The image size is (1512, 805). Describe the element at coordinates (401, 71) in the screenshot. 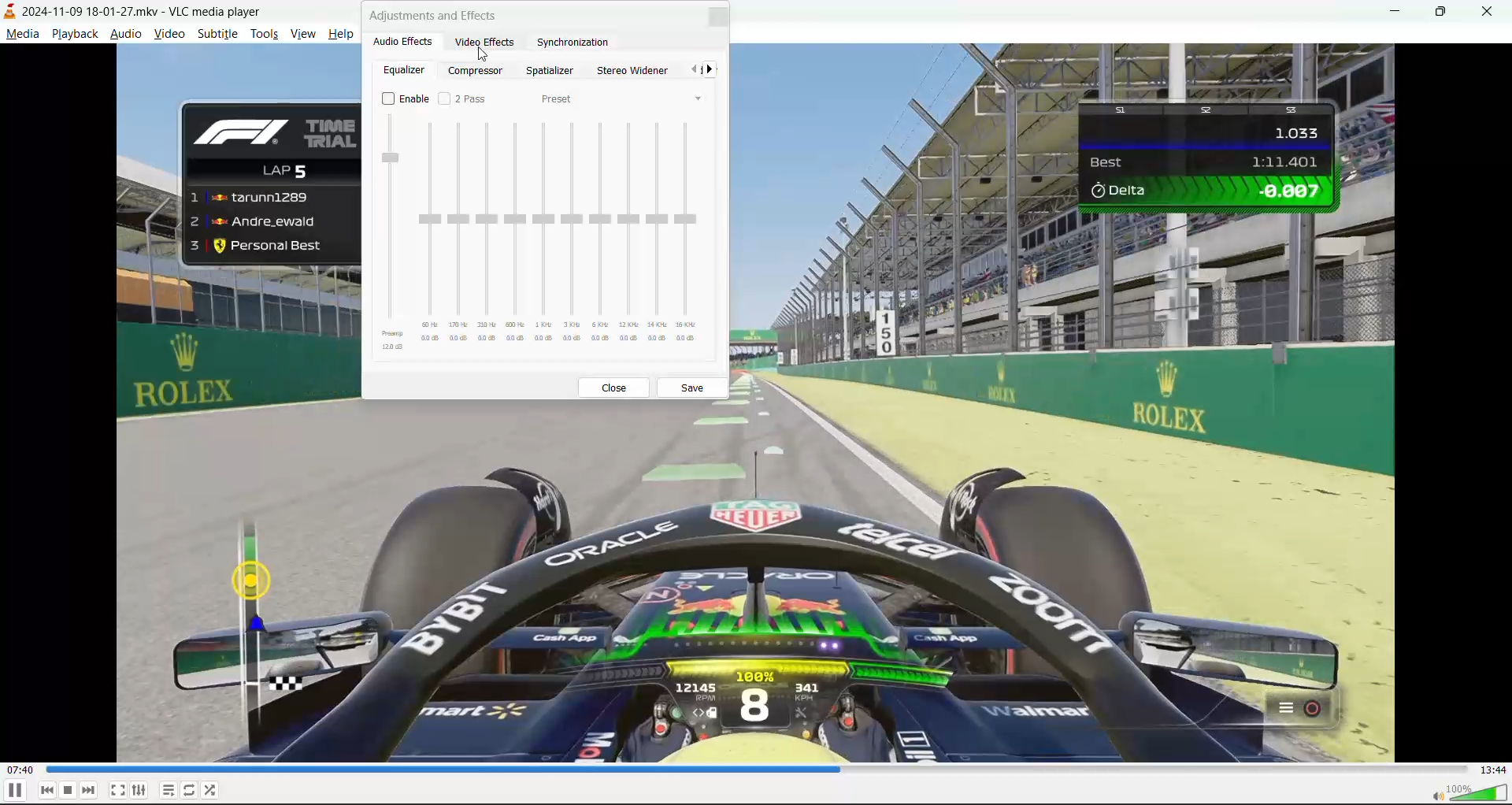

I see `equalizer` at that location.